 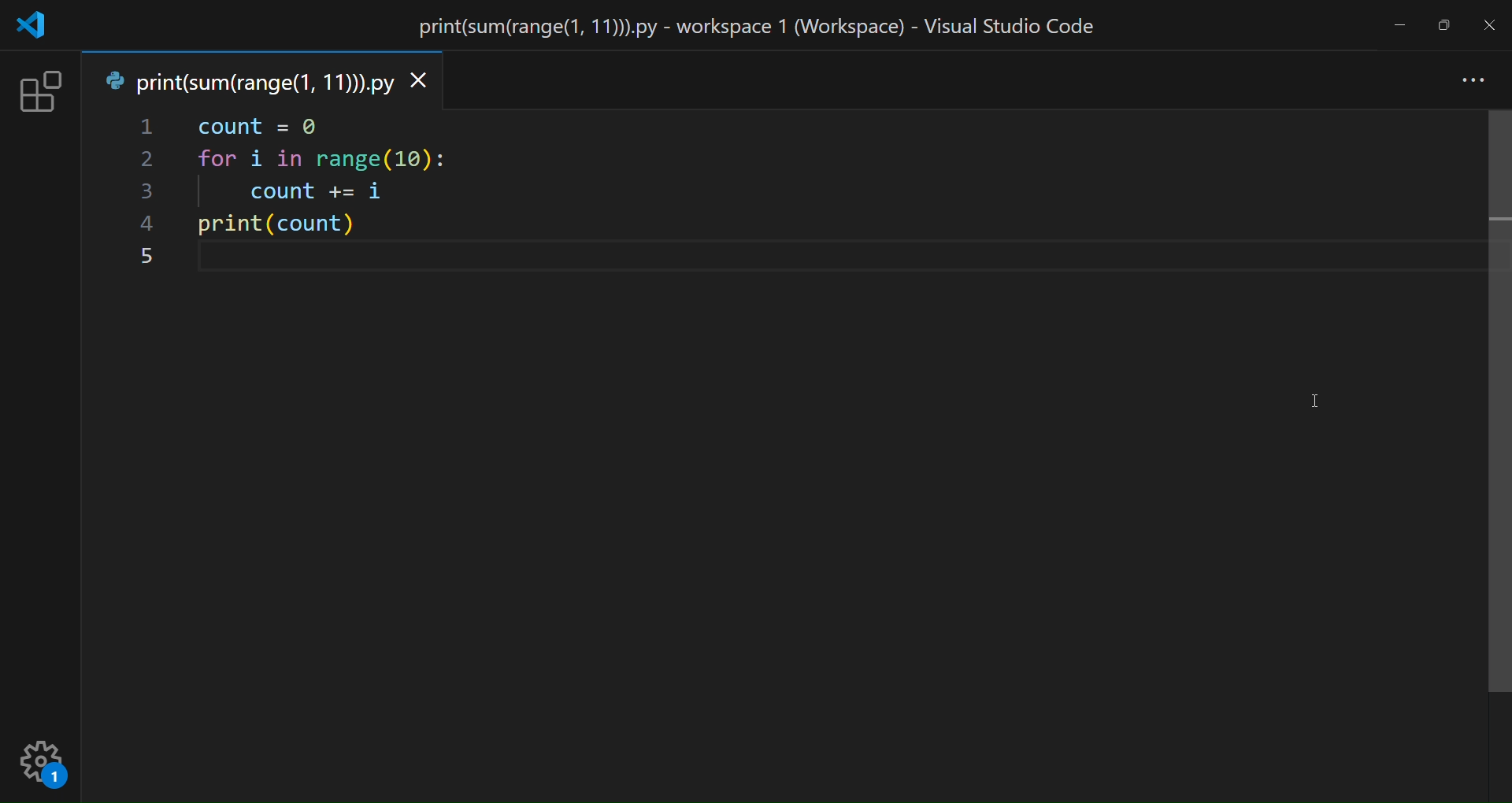 I want to click on code, so click(x=368, y=200).